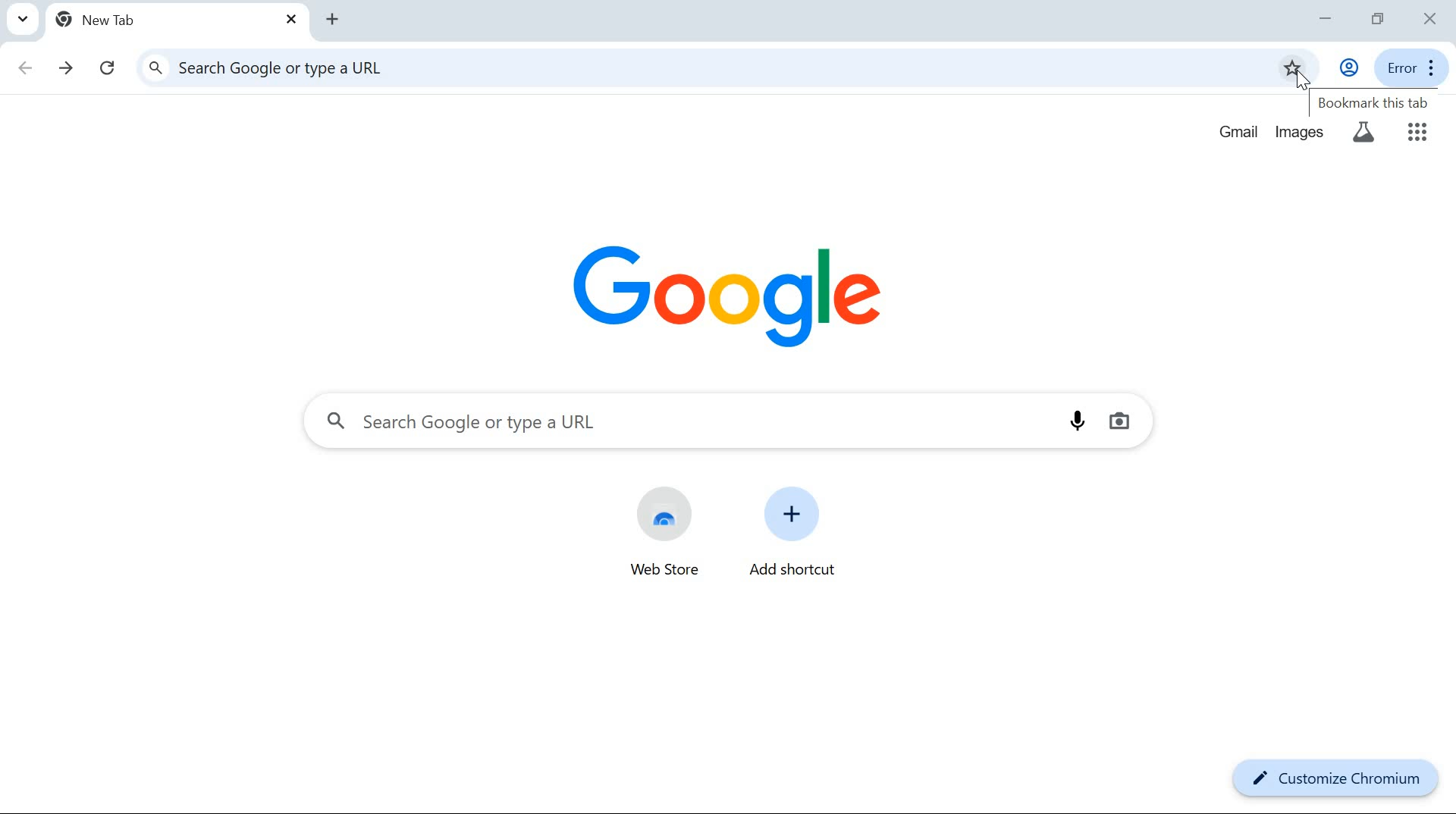  I want to click on user profile, so click(1348, 67).